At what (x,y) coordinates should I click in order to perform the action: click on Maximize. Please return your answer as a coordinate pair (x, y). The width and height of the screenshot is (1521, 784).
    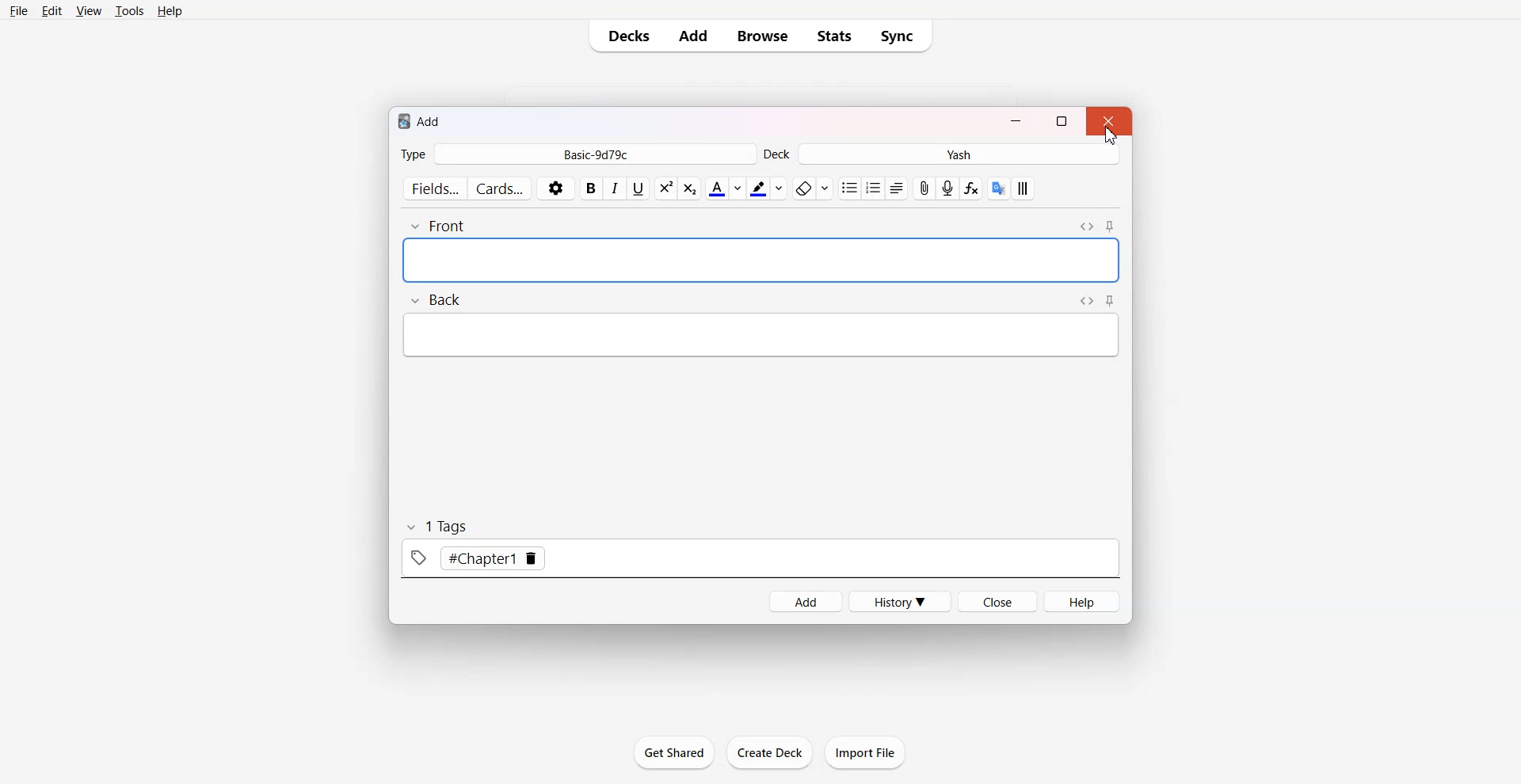
    Looking at the image, I should click on (1062, 120).